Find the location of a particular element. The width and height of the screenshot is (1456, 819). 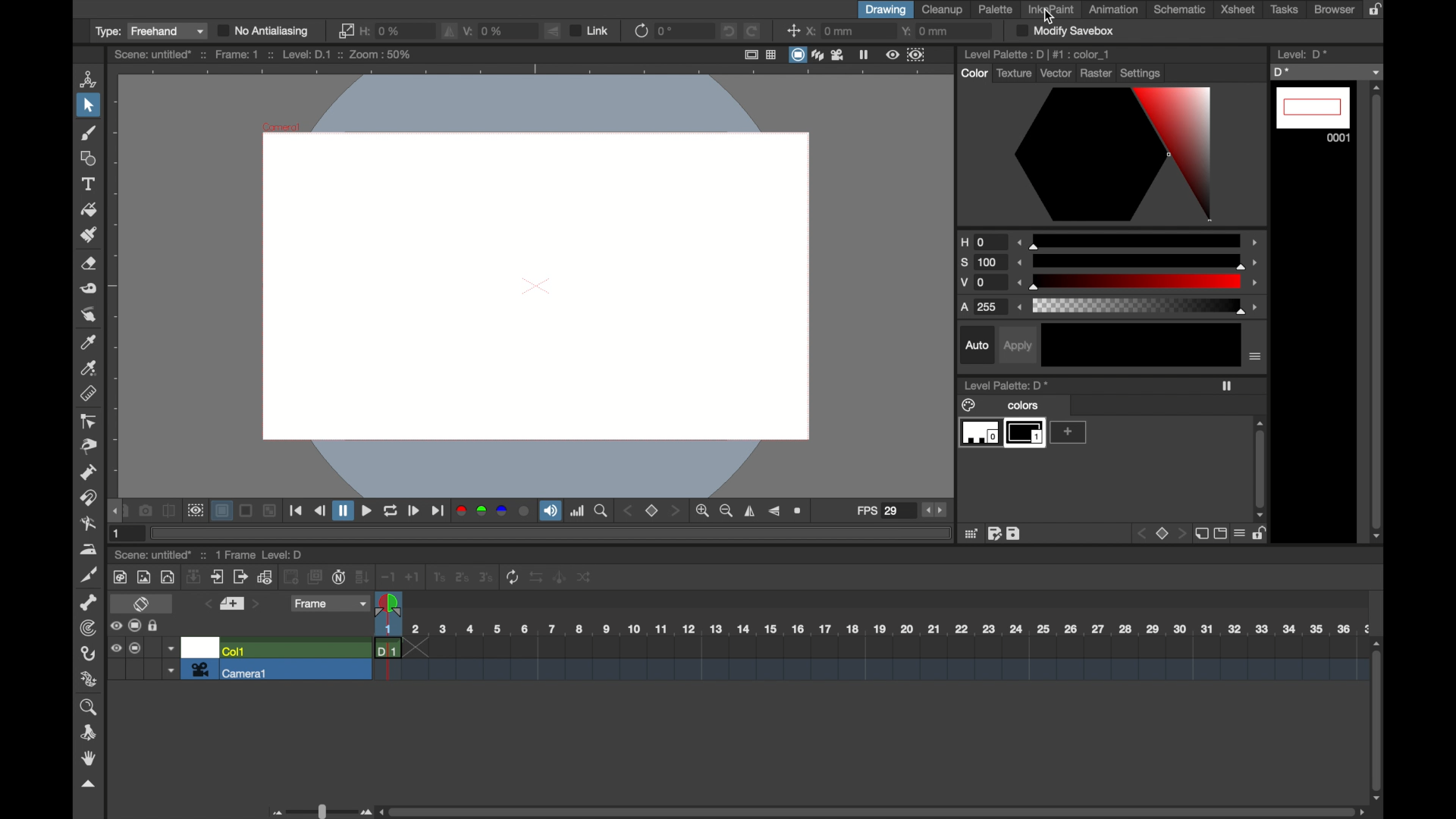

view is located at coordinates (892, 55).